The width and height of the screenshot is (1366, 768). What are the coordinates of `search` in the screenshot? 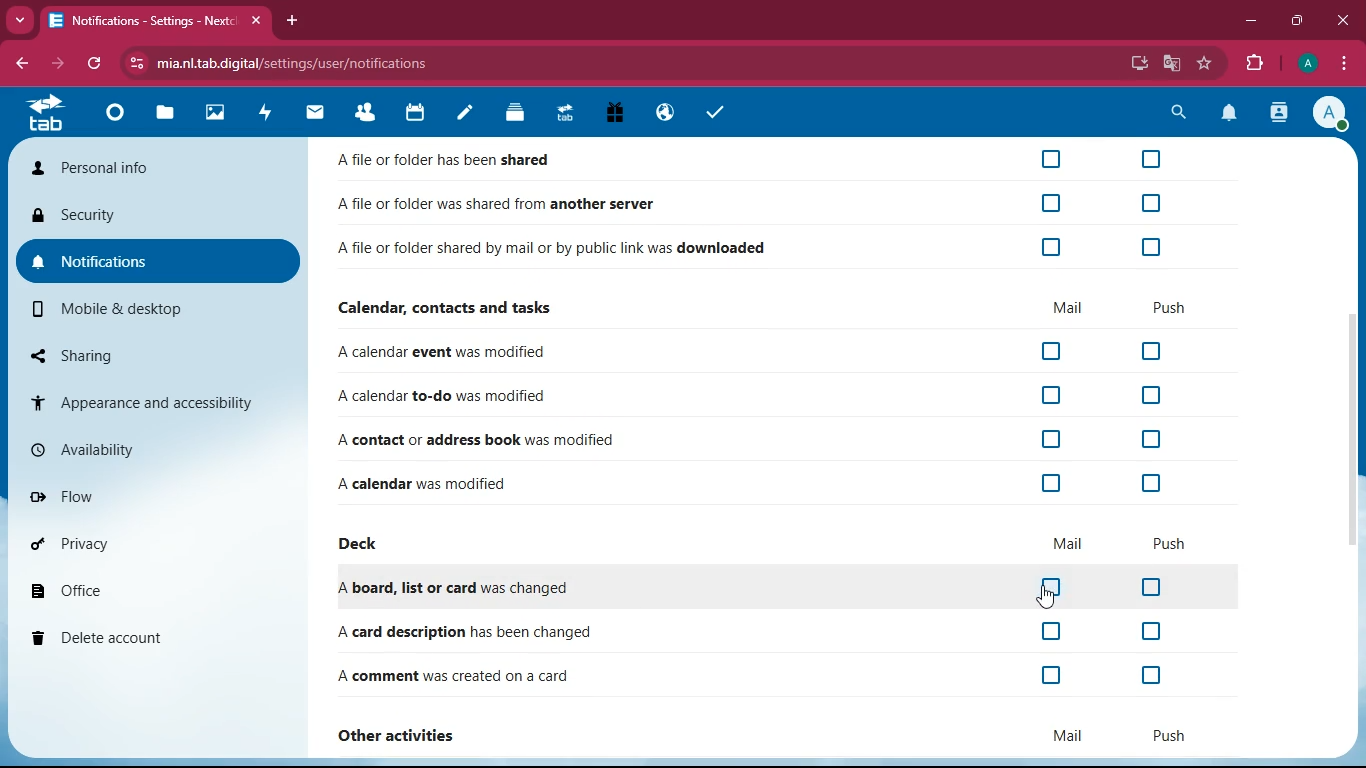 It's located at (1178, 111).